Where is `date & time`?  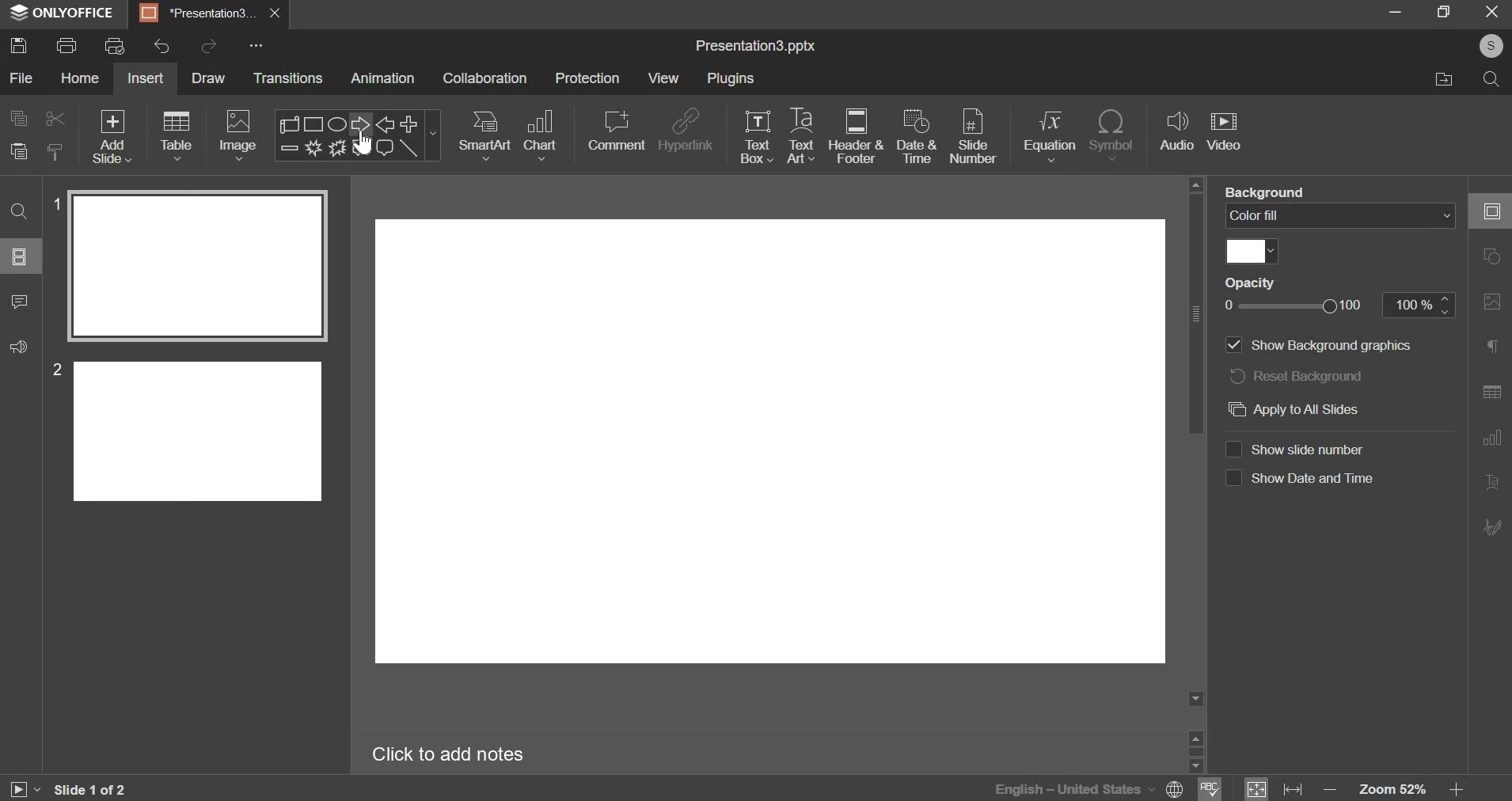 date & time is located at coordinates (917, 135).